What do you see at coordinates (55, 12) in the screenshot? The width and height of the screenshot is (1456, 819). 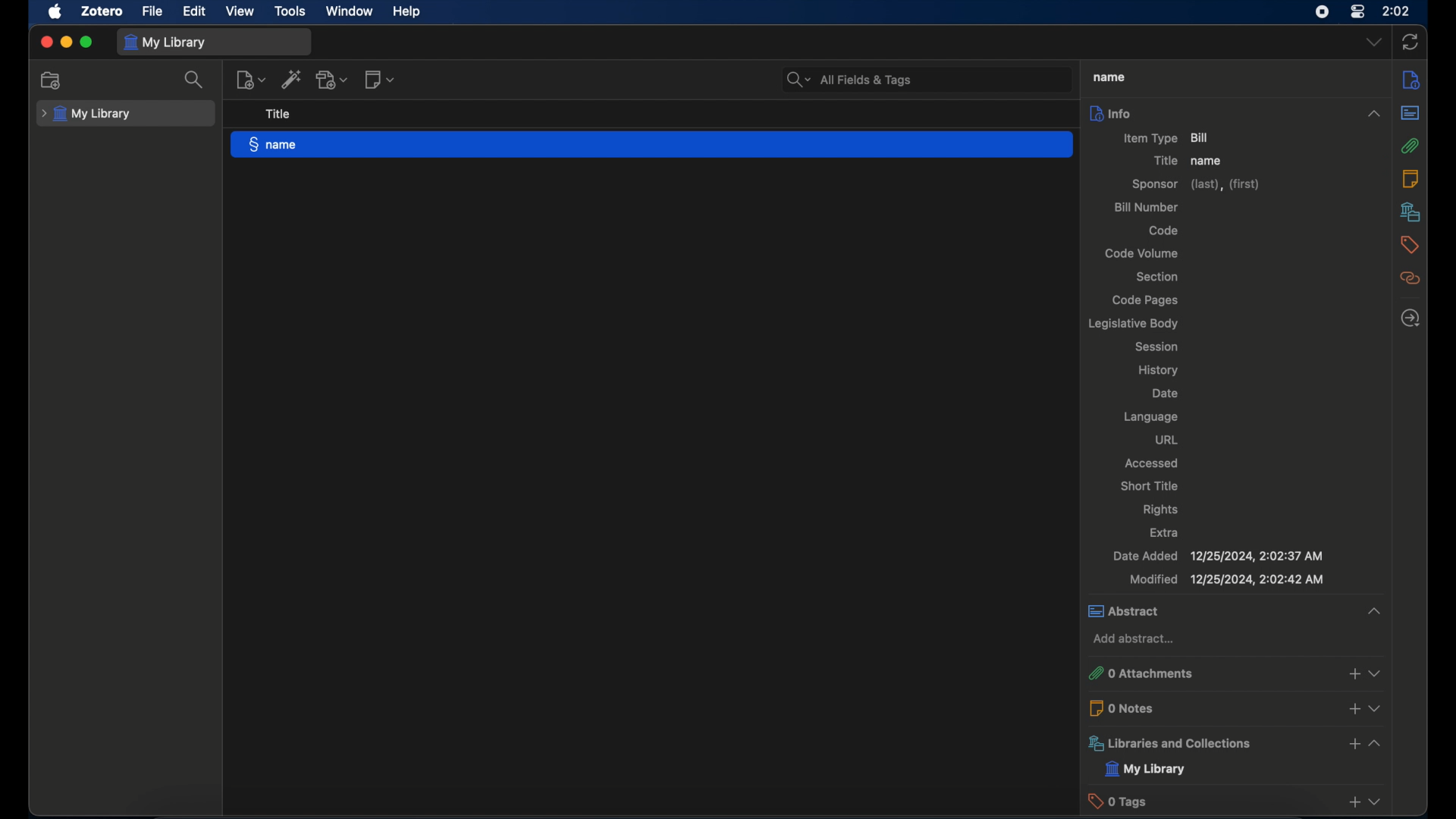 I see `apple` at bounding box center [55, 12].